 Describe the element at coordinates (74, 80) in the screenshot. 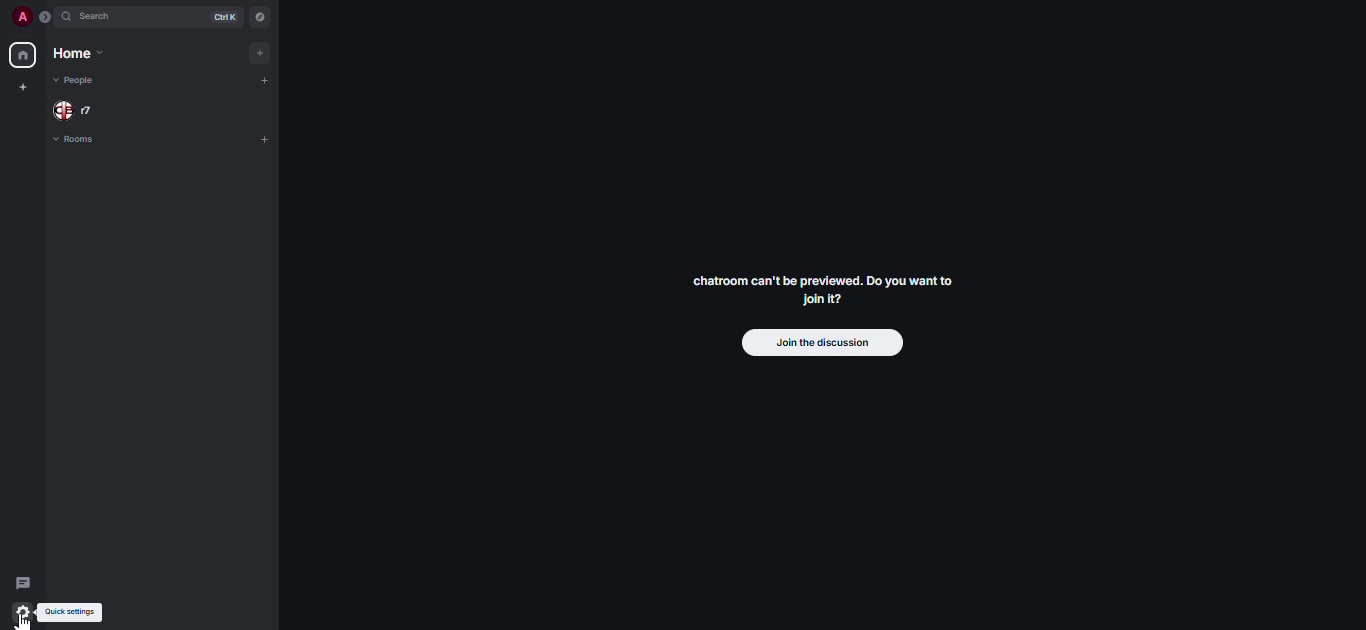

I see `people` at that location.